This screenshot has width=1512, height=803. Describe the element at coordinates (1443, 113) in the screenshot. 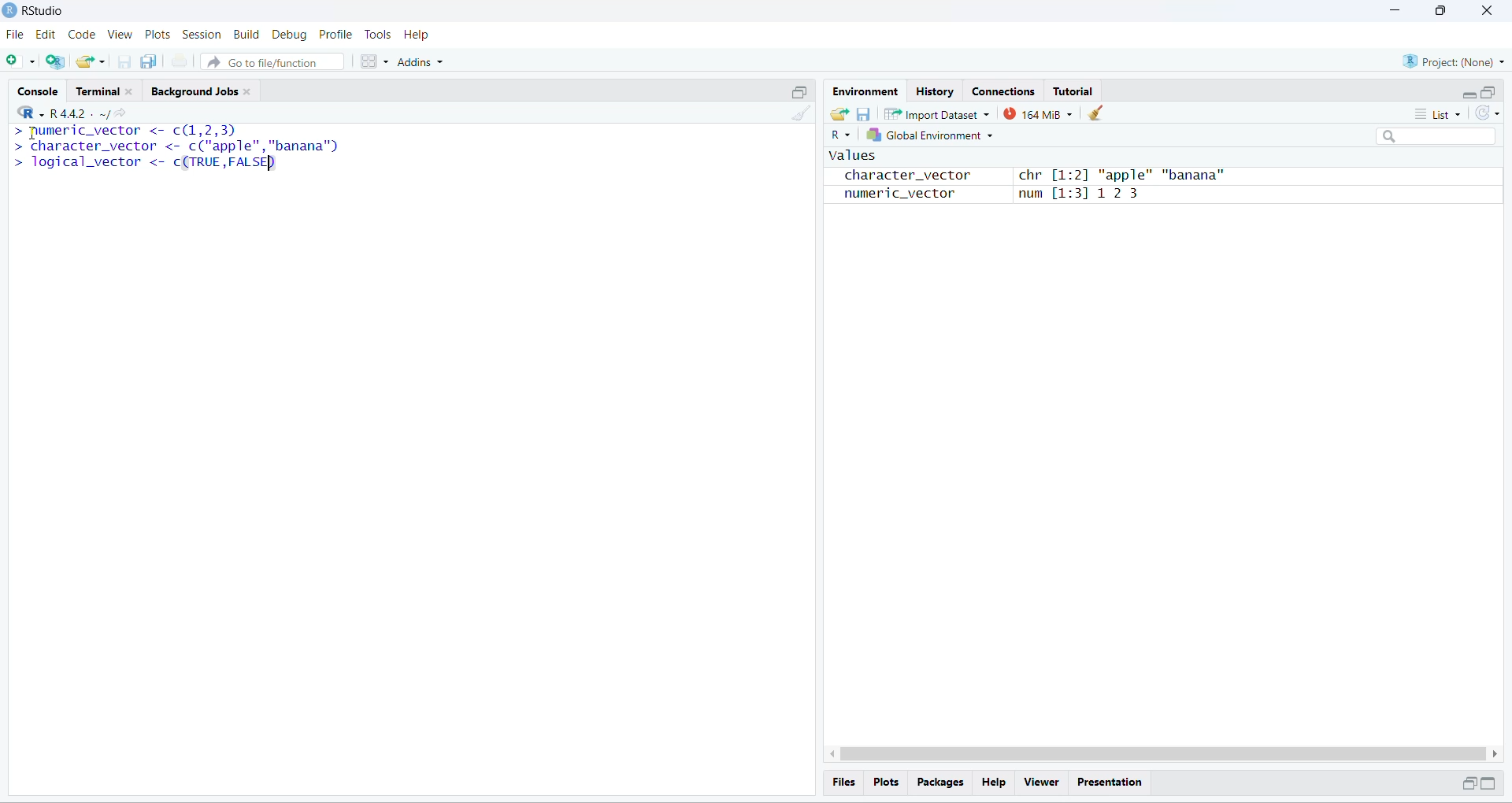

I see `list` at that location.